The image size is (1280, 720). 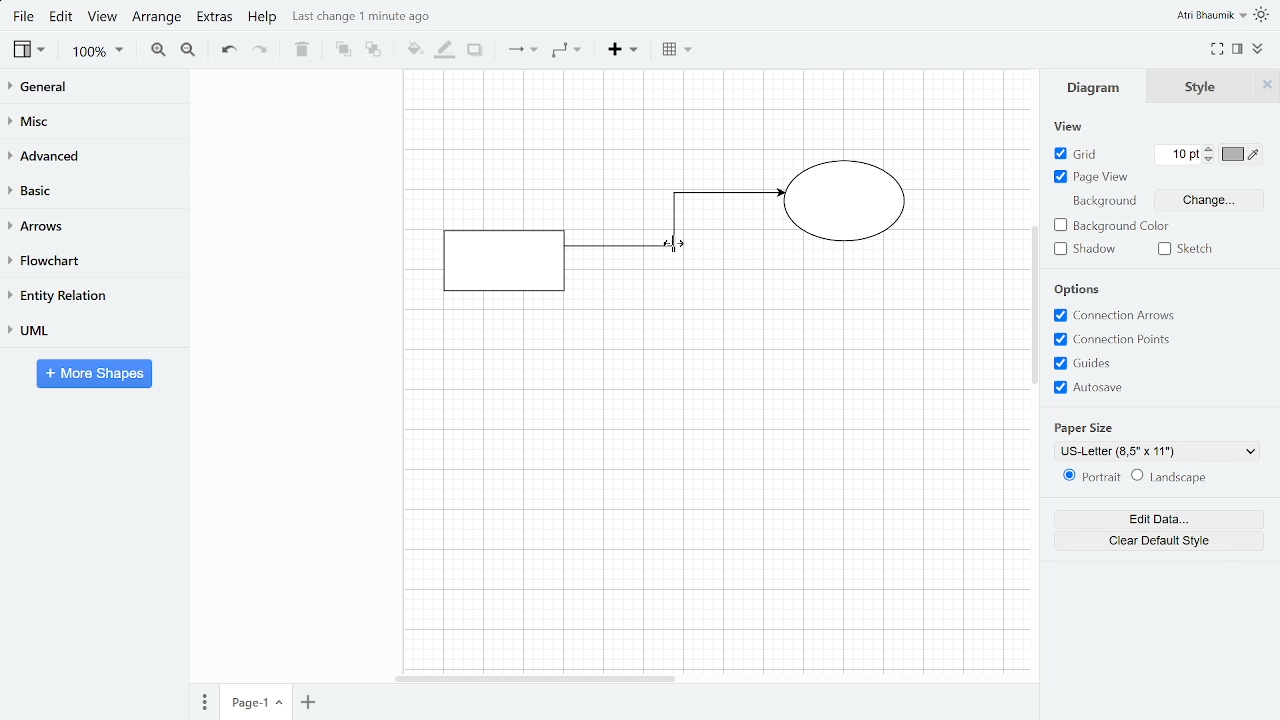 I want to click on To front, so click(x=344, y=50).